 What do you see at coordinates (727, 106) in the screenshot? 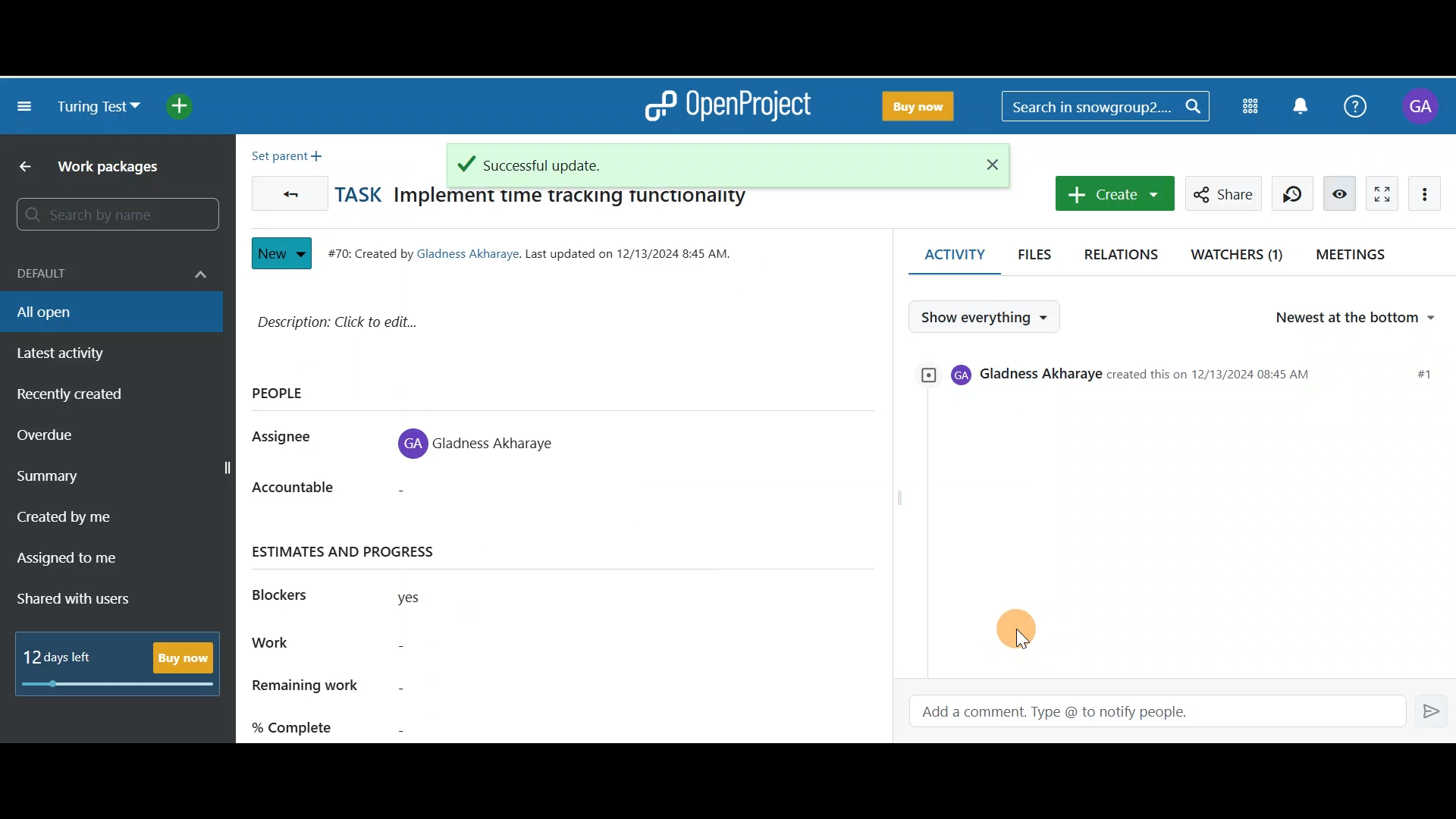
I see `OpenProject` at bounding box center [727, 106].